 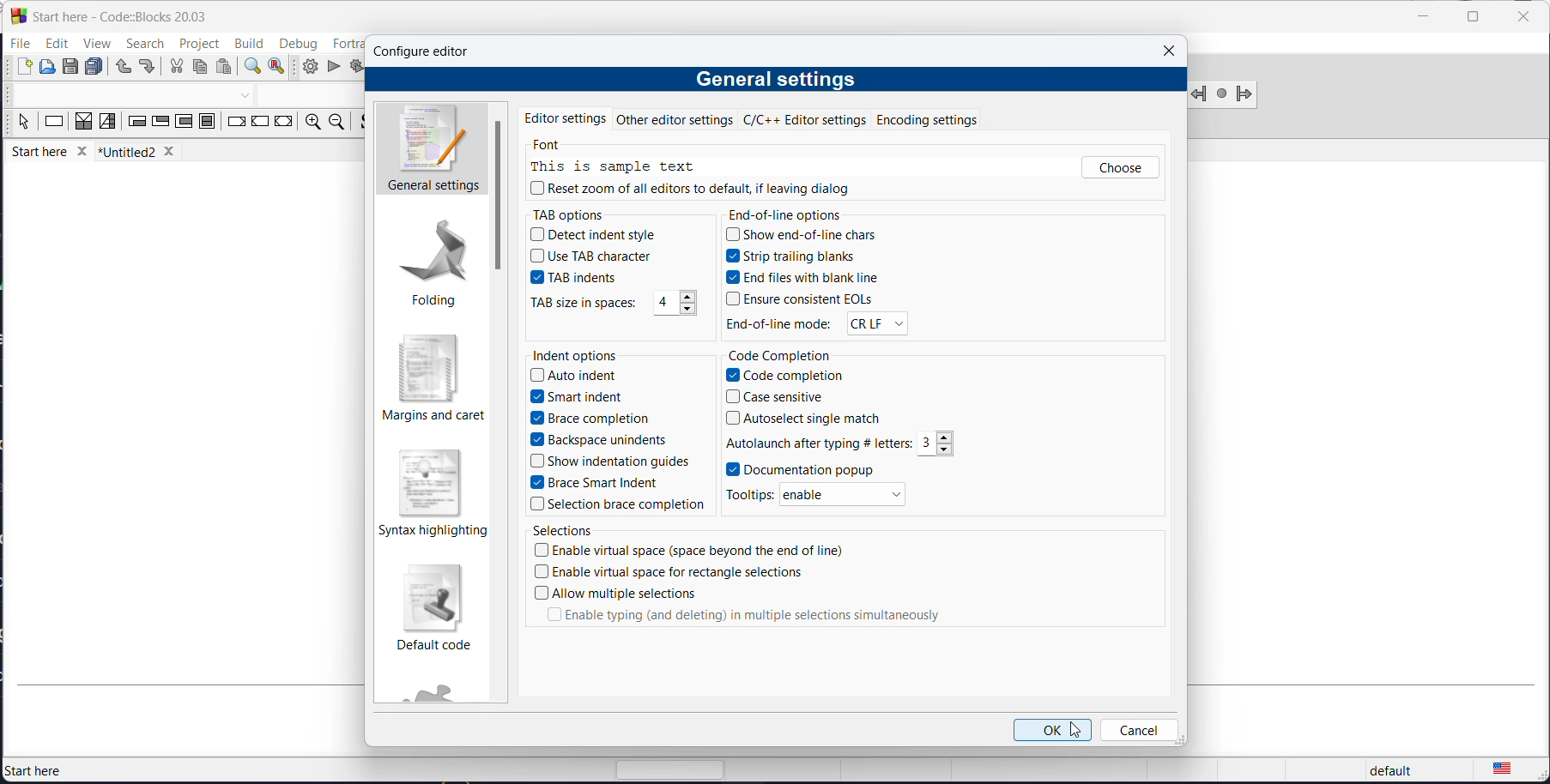 What do you see at coordinates (685, 187) in the screenshot?
I see `reset zoom checkbox` at bounding box center [685, 187].